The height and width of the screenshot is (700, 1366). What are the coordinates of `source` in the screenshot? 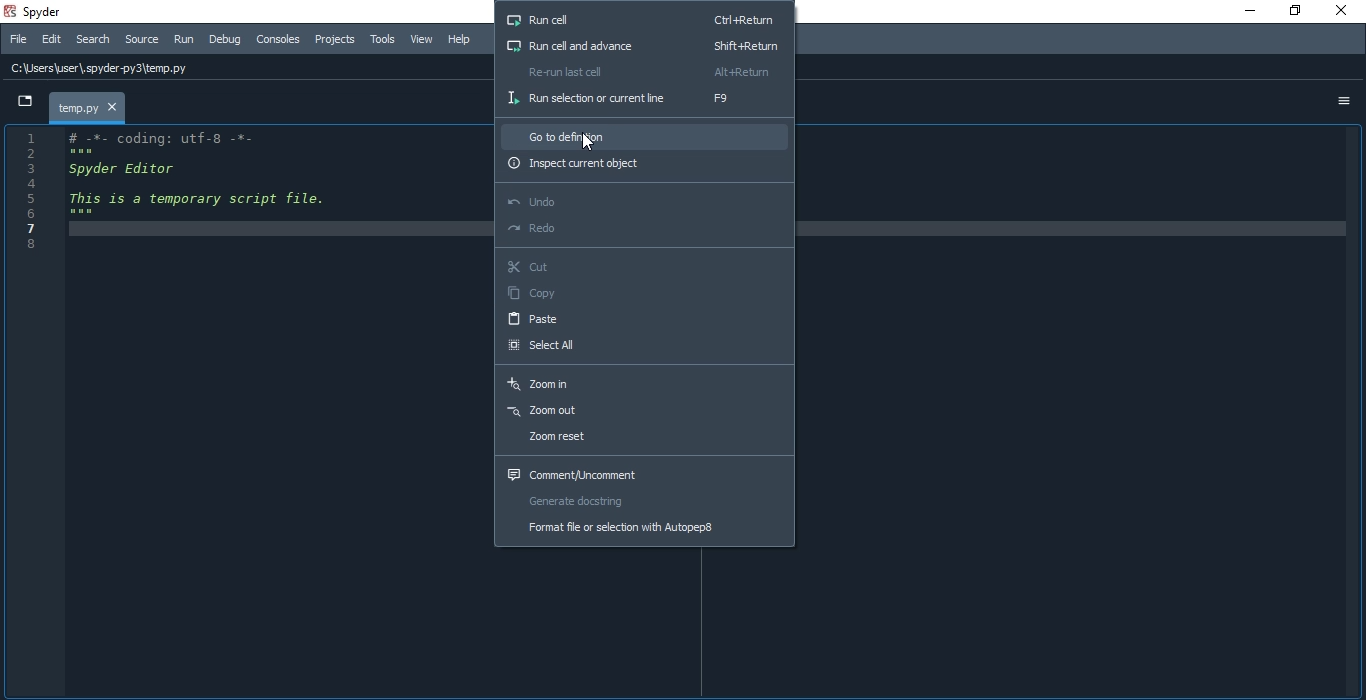 It's located at (140, 39).